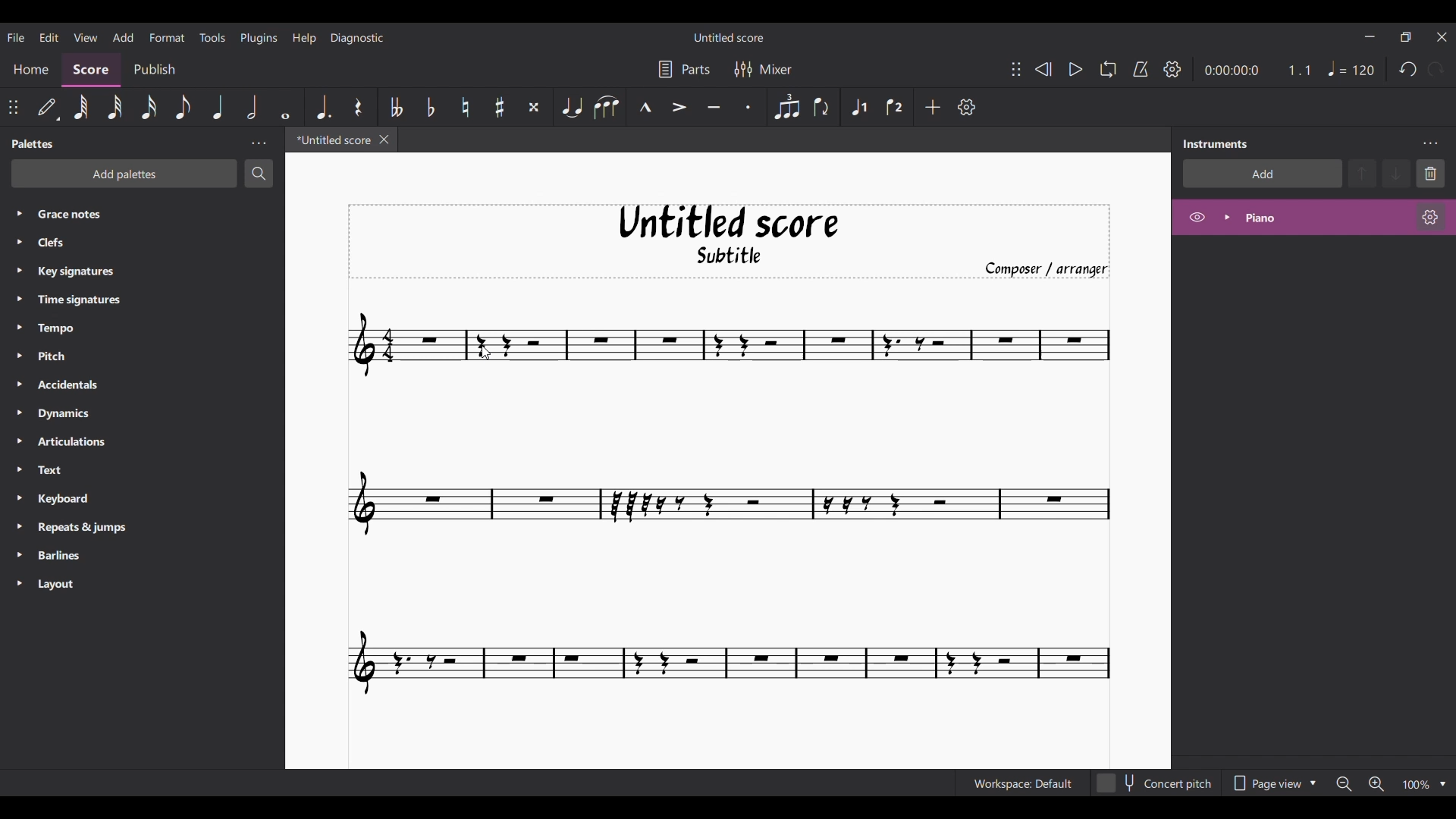  Describe the element at coordinates (259, 143) in the screenshot. I see `Palette settings` at that location.